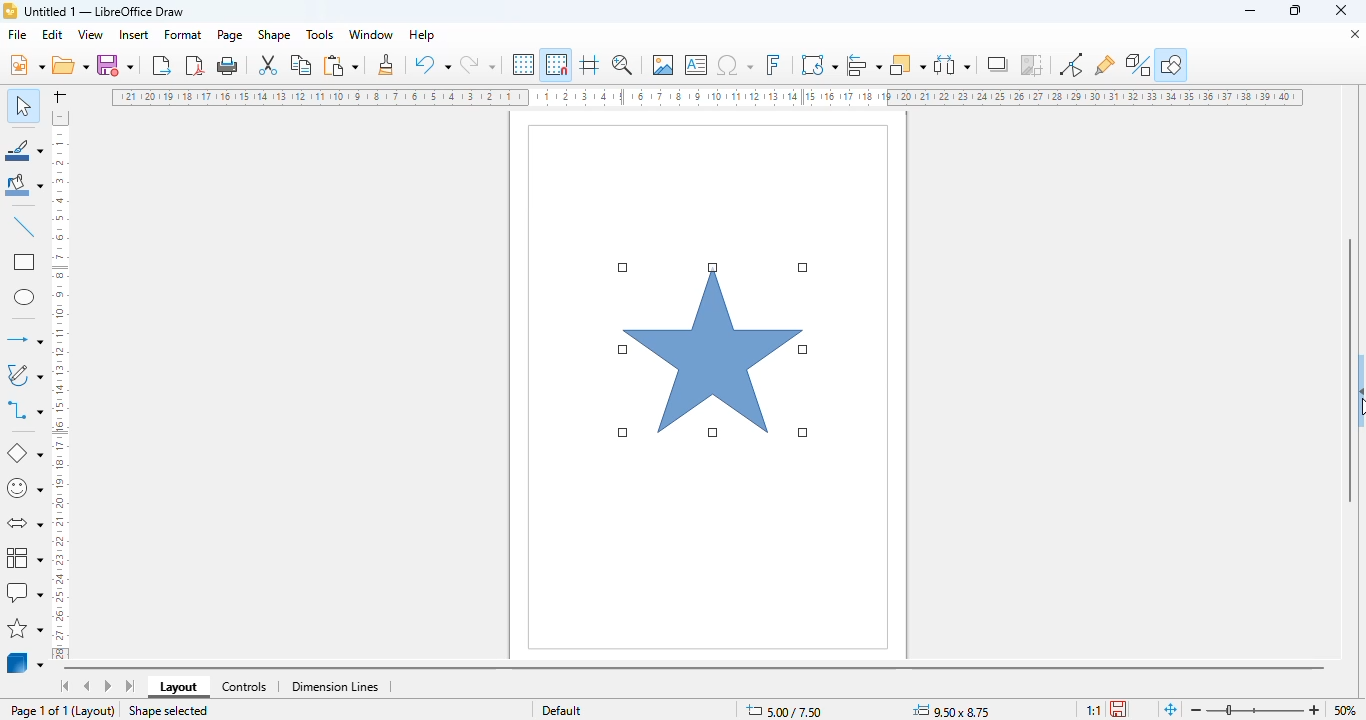  What do you see at coordinates (61, 384) in the screenshot?
I see `ruler` at bounding box center [61, 384].